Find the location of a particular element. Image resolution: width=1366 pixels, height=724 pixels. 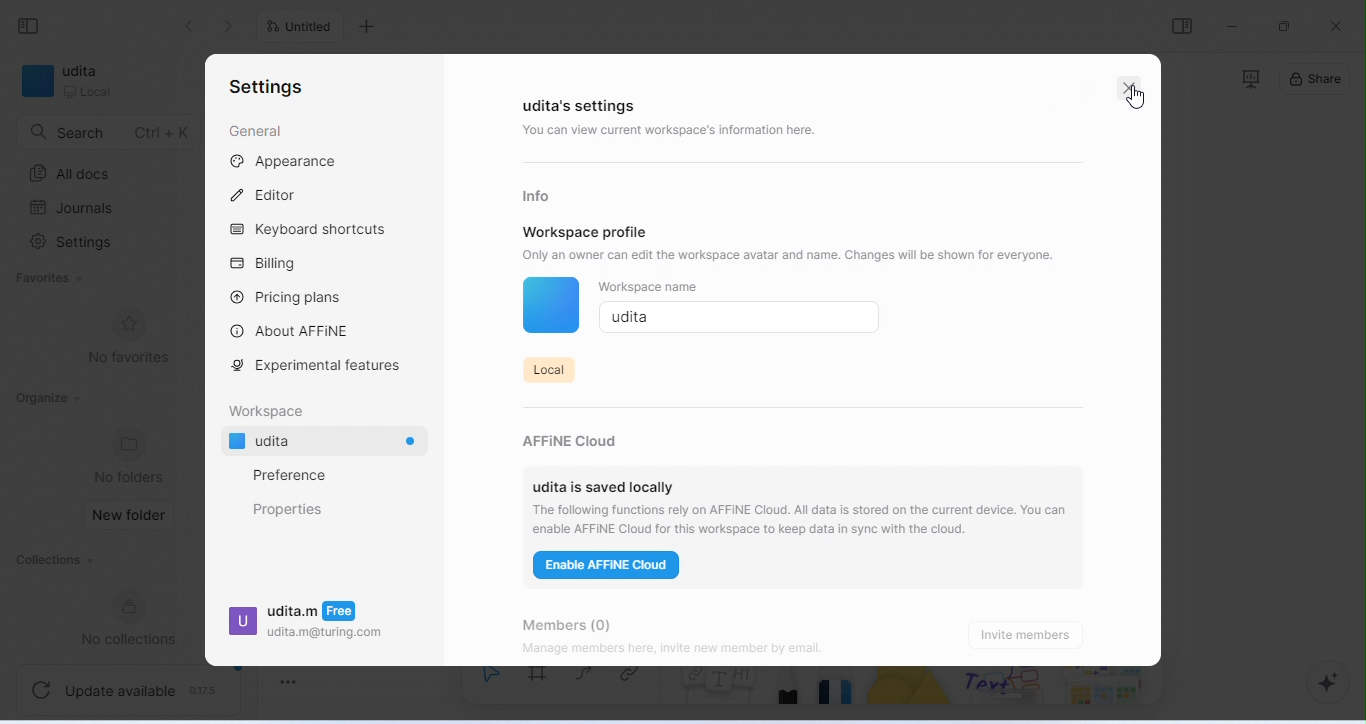

untitled is located at coordinates (304, 28).